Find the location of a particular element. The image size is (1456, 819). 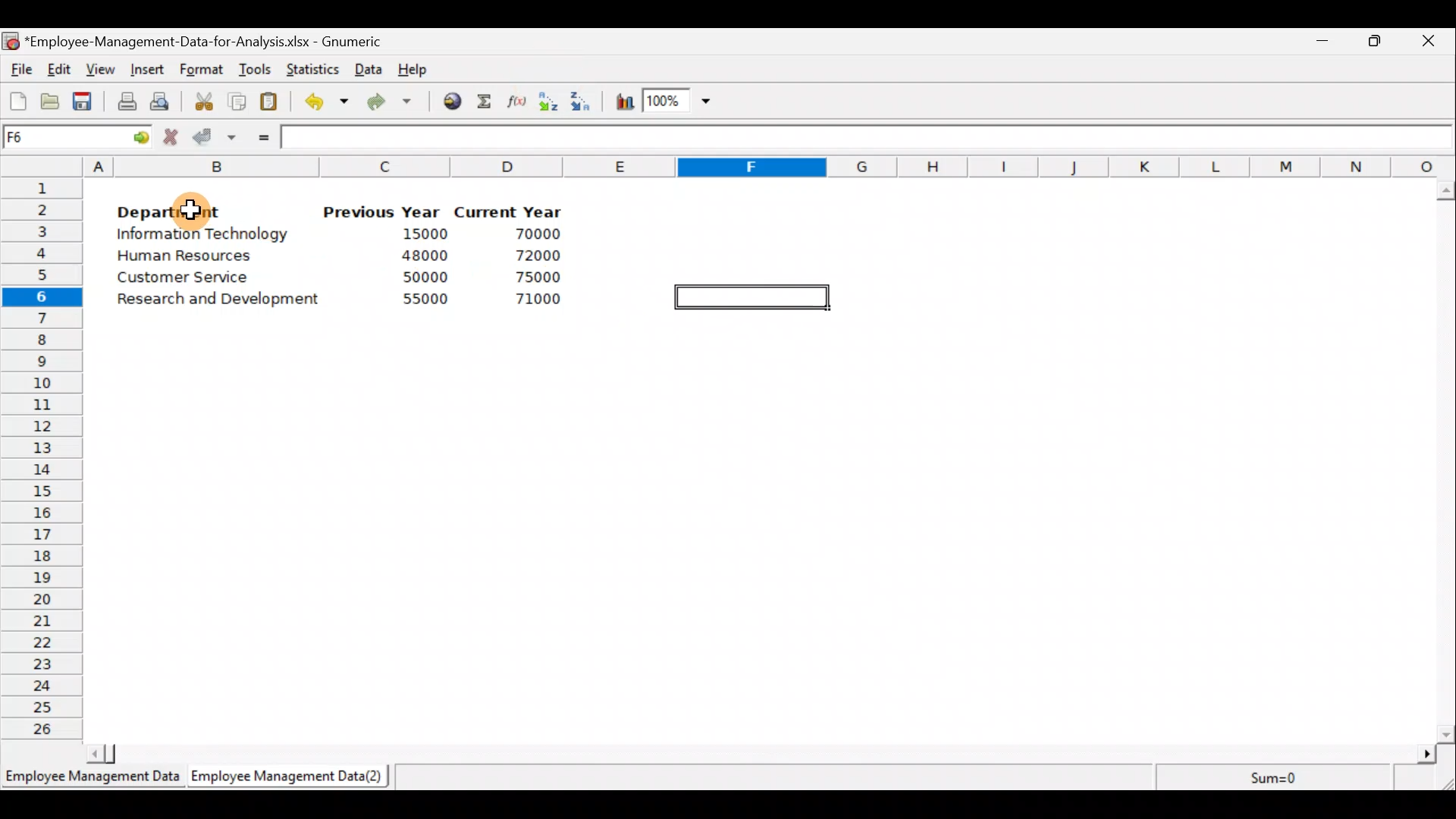

Scroll bar is located at coordinates (1445, 462).